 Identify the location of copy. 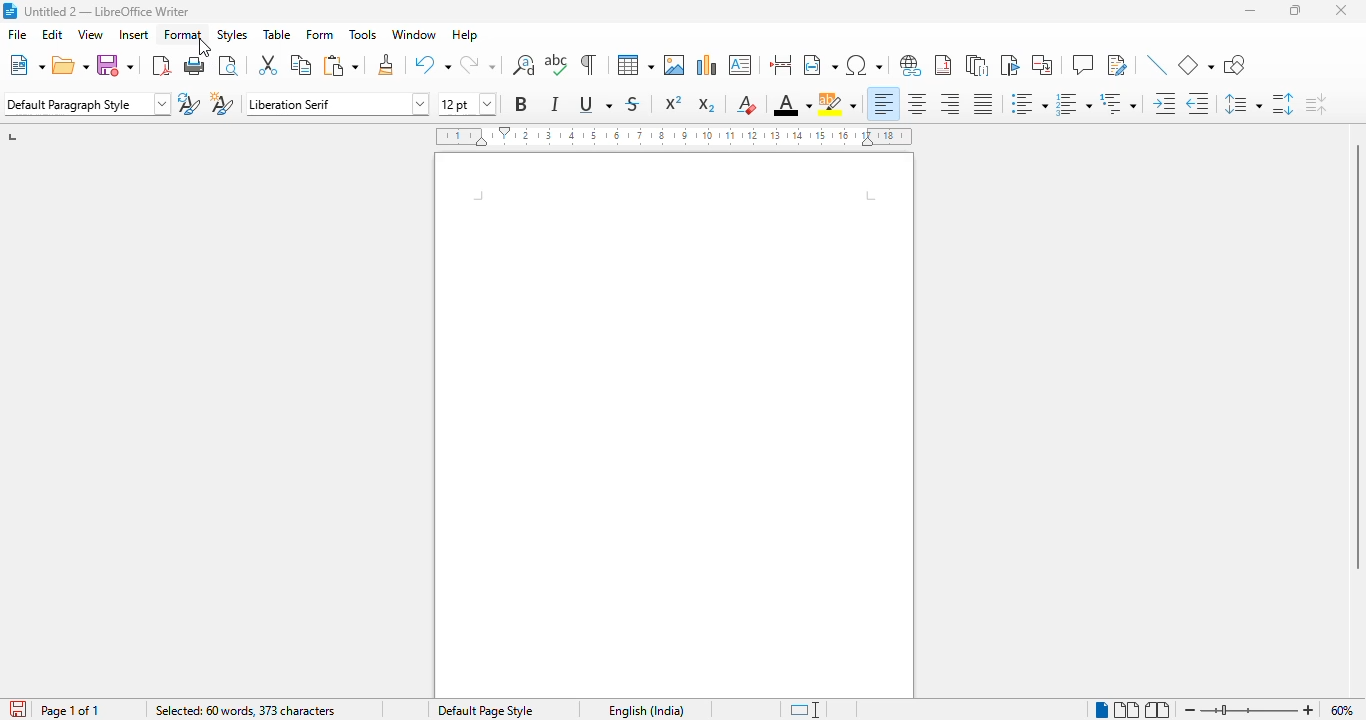
(301, 64).